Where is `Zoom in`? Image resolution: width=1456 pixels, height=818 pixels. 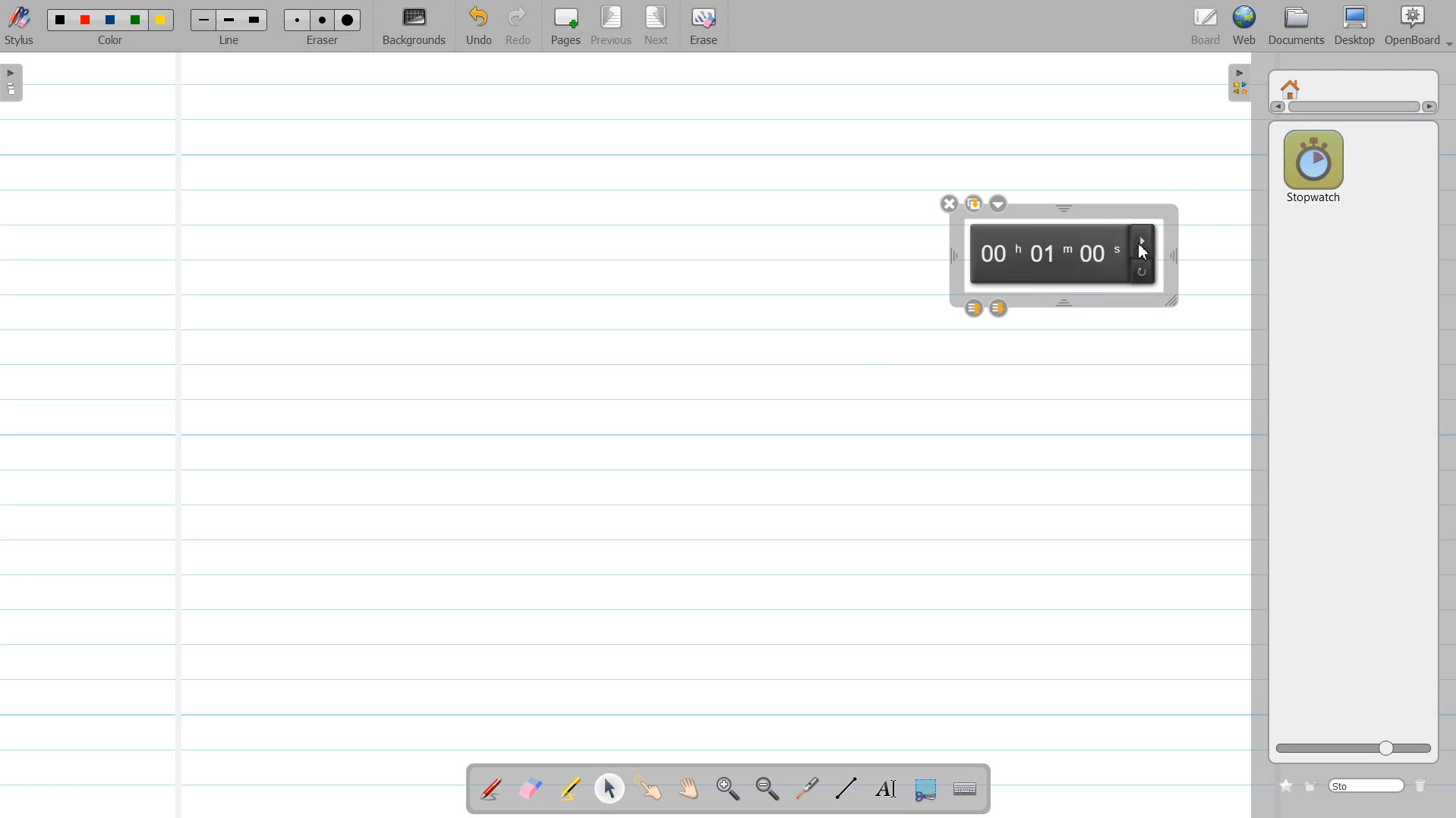
Zoom in is located at coordinates (729, 789).